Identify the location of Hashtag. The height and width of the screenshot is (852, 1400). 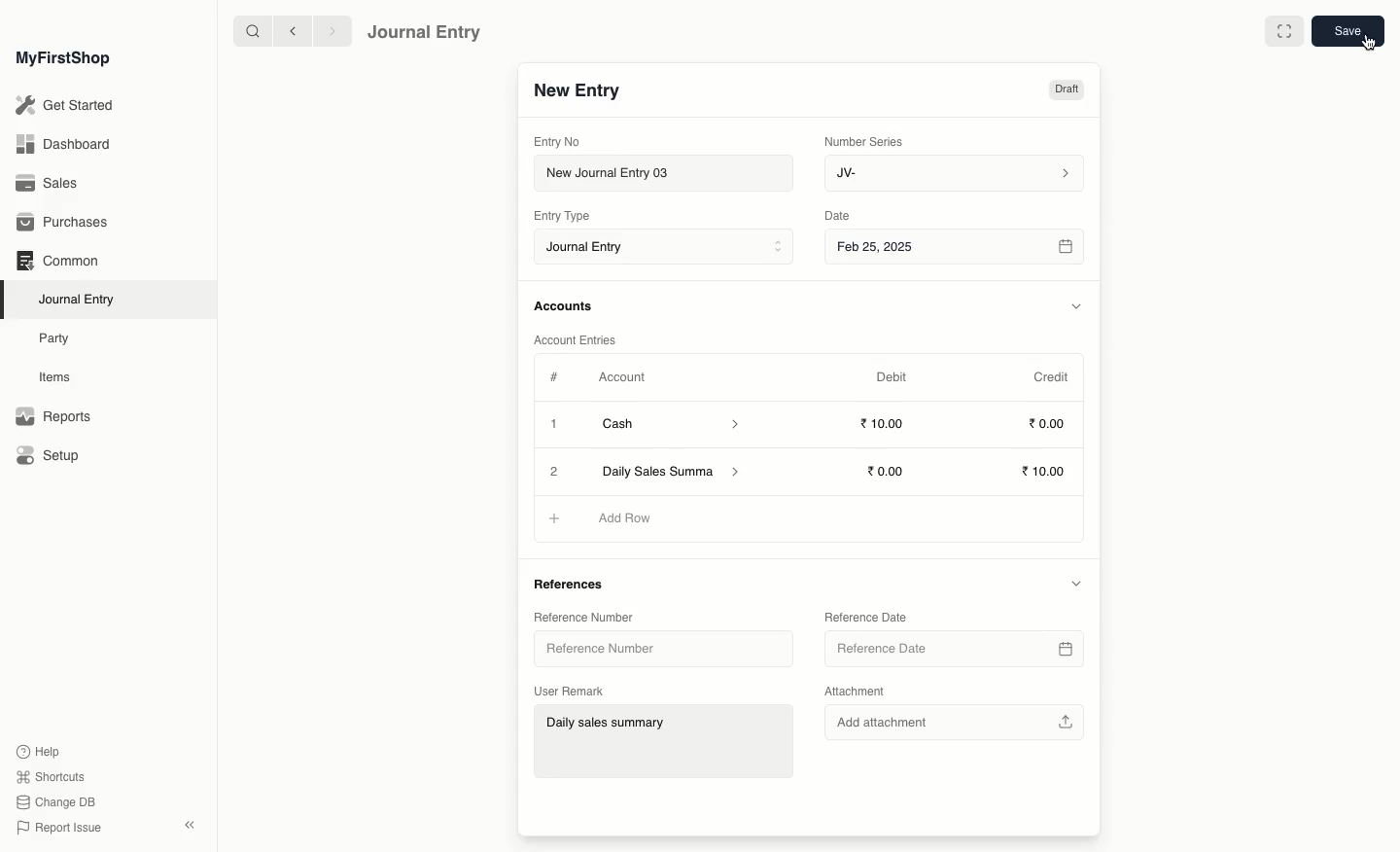
(558, 378).